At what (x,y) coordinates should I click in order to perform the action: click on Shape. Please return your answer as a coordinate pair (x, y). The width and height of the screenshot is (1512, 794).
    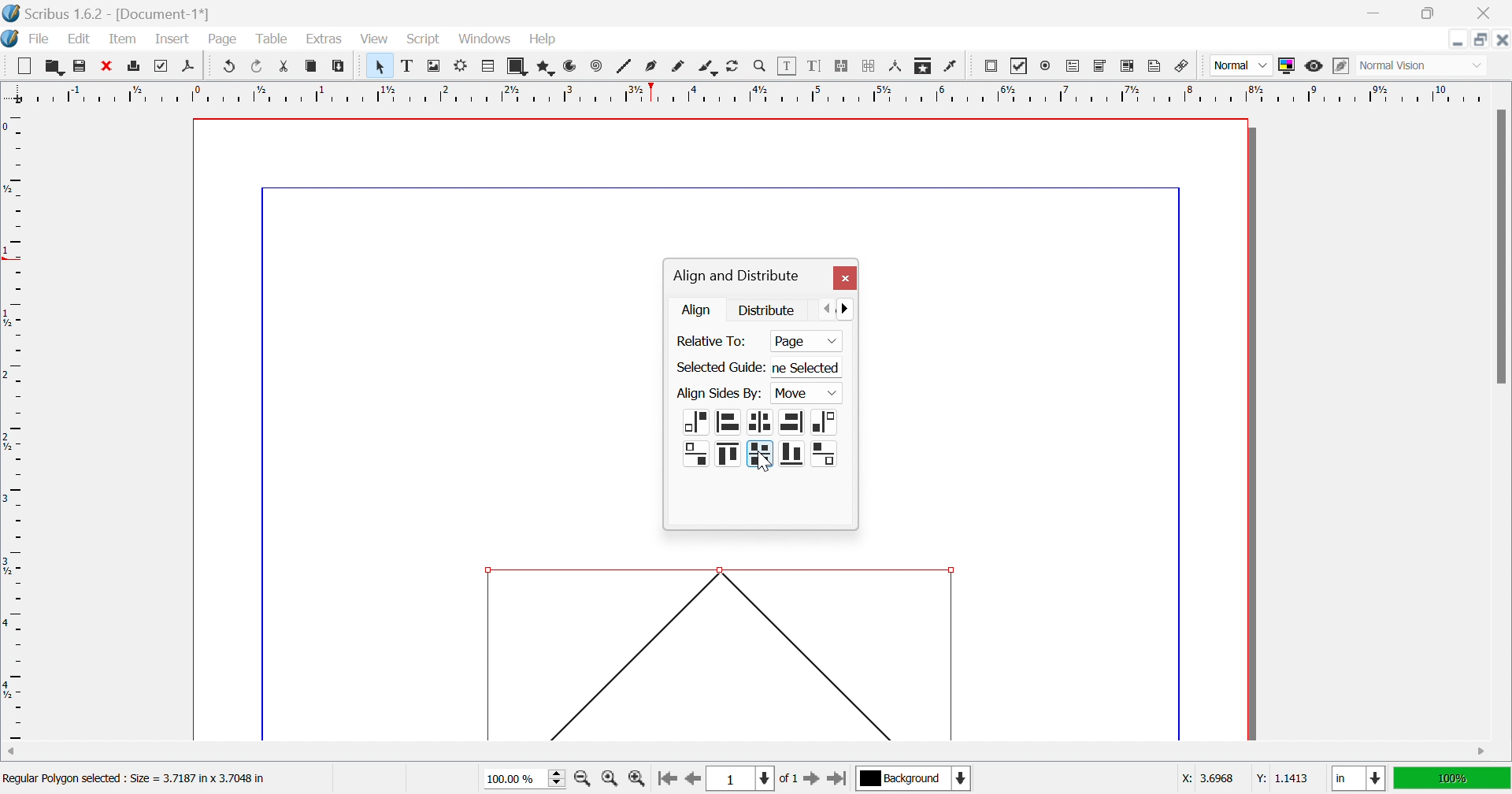
    Looking at the image, I should click on (718, 653).